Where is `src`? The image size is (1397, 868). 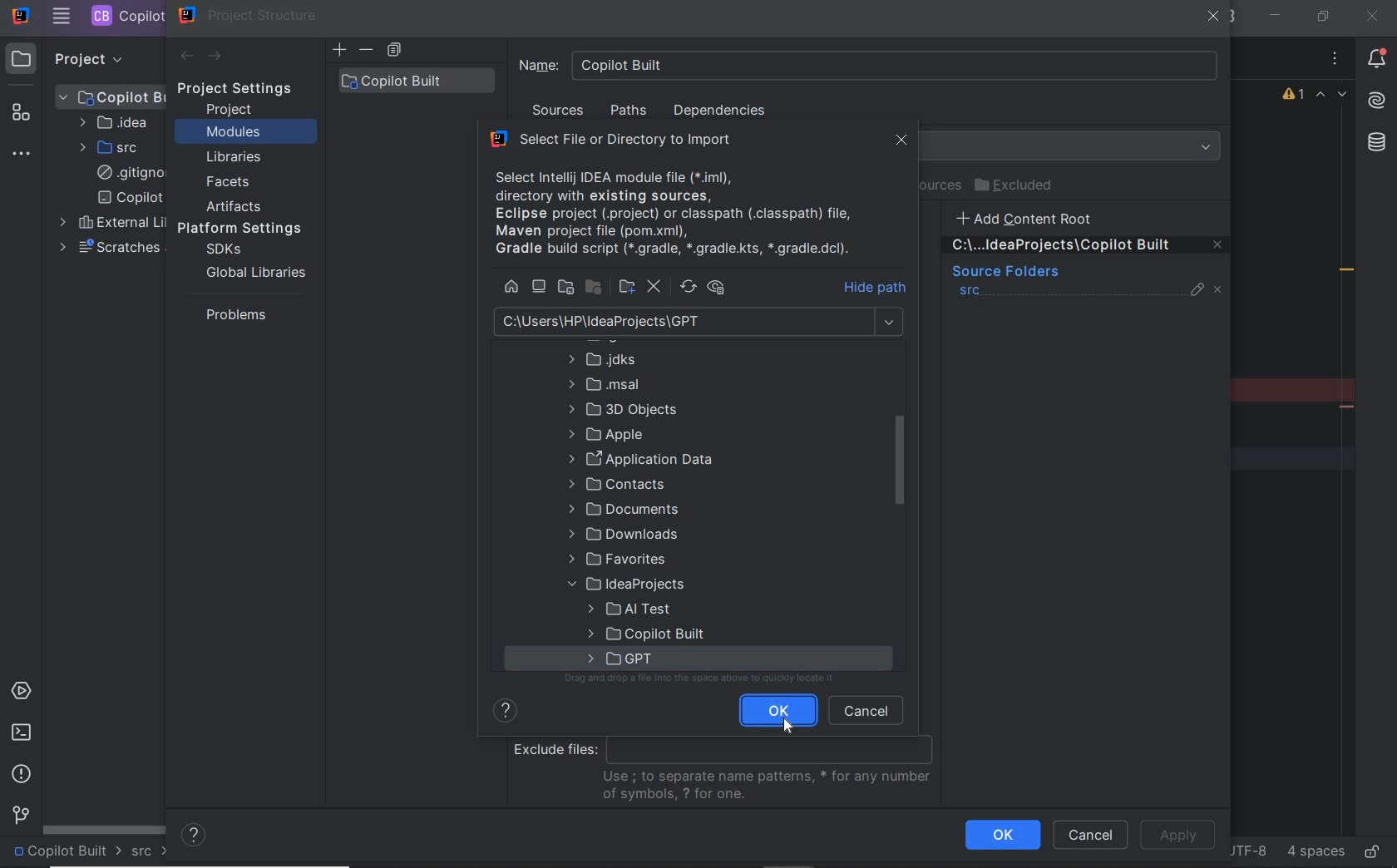
src is located at coordinates (151, 852).